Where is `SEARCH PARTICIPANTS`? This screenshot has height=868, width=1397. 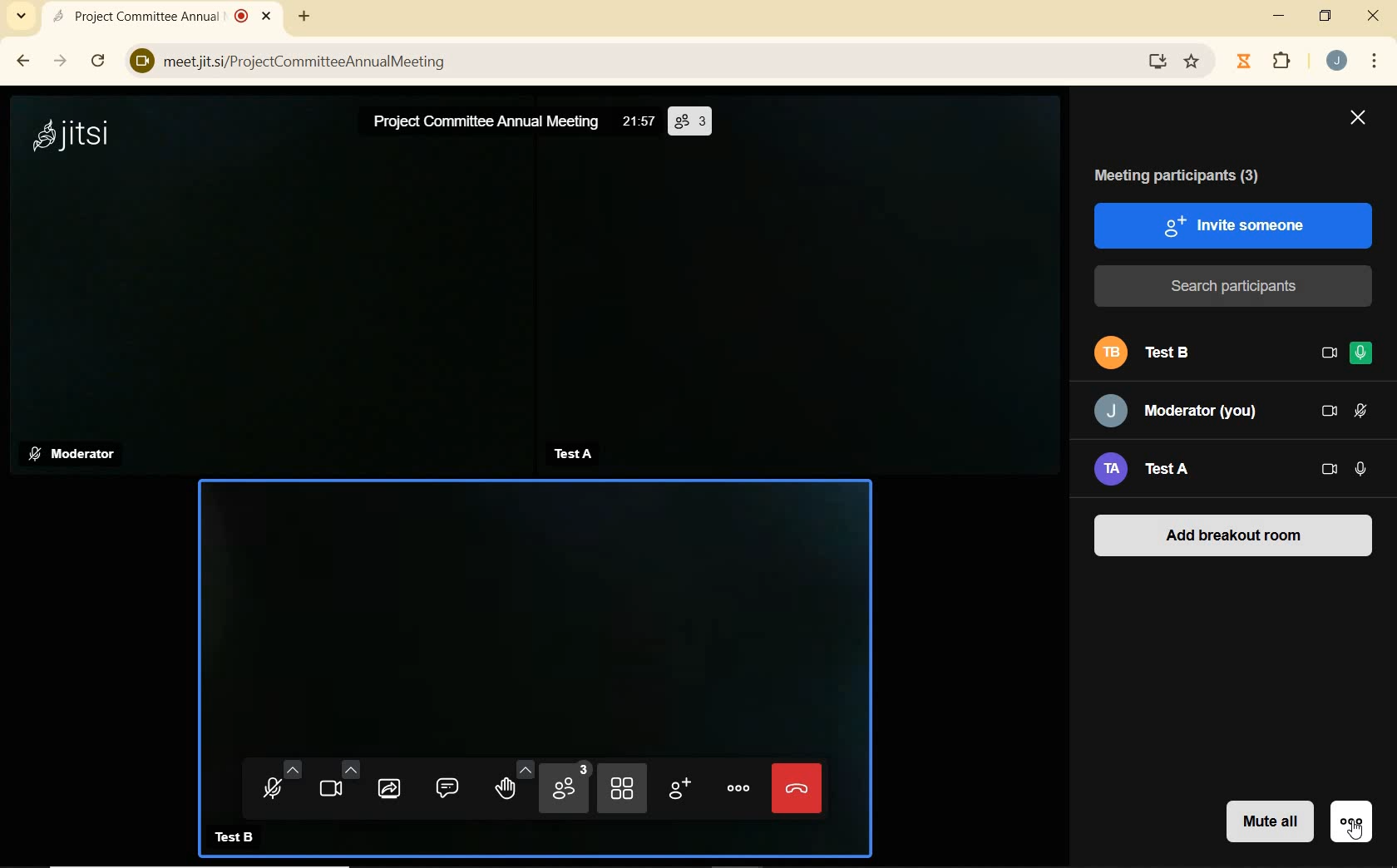 SEARCH PARTICIPANTS is located at coordinates (1235, 286).